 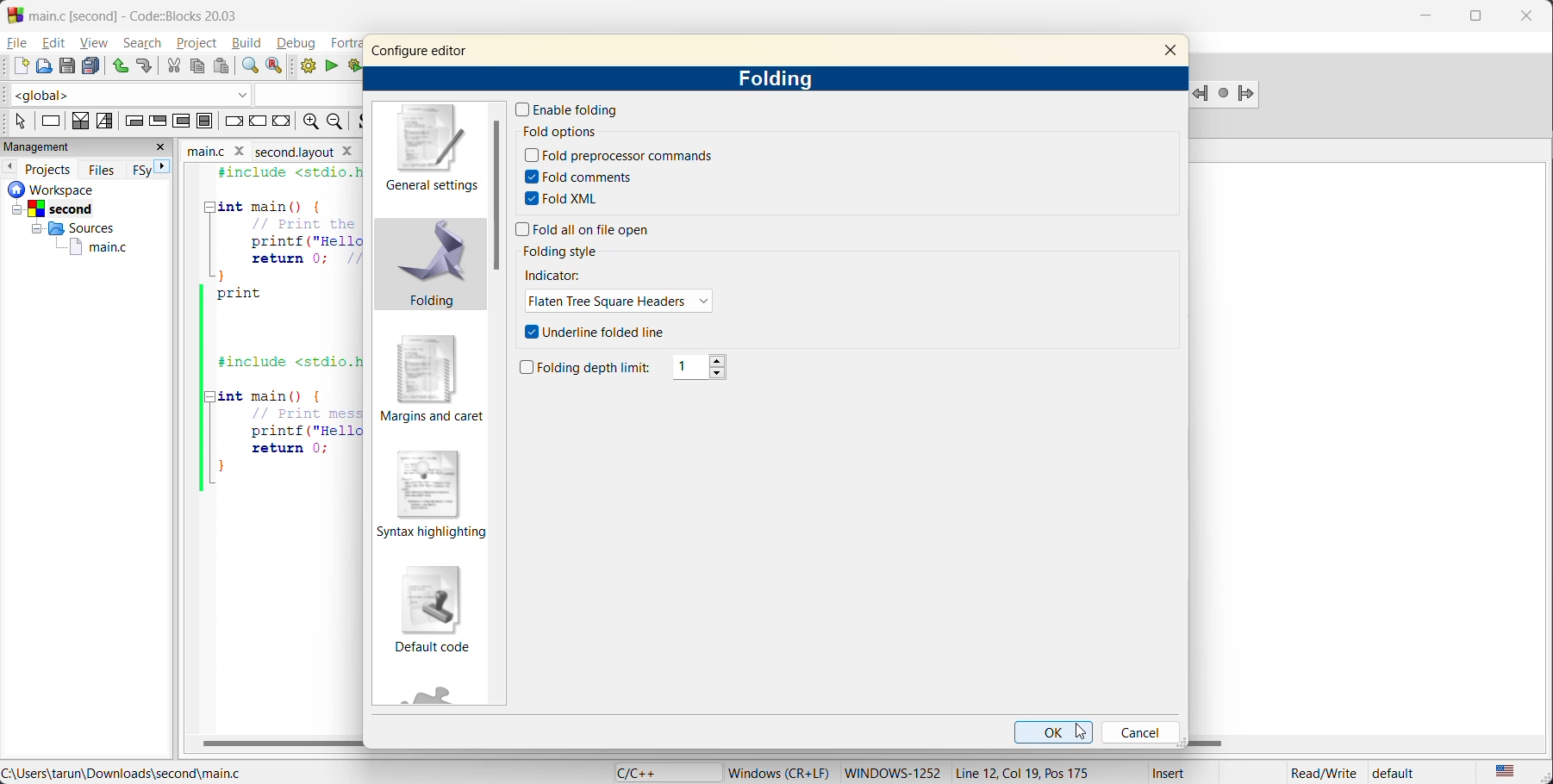 What do you see at coordinates (92, 42) in the screenshot?
I see `view` at bounding box center [92, 42].